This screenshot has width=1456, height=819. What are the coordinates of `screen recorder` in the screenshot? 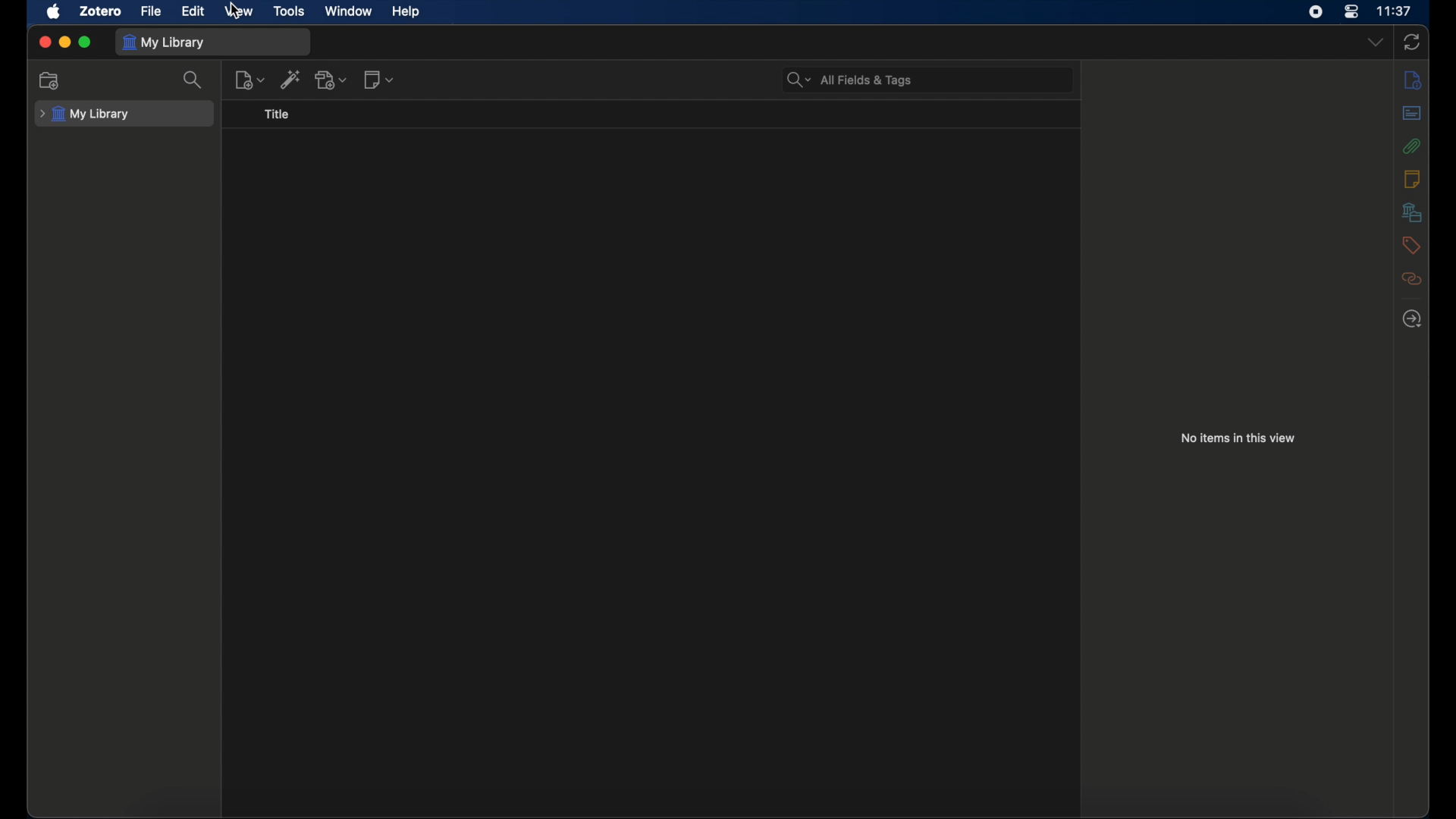 It's located at (1318, 12).